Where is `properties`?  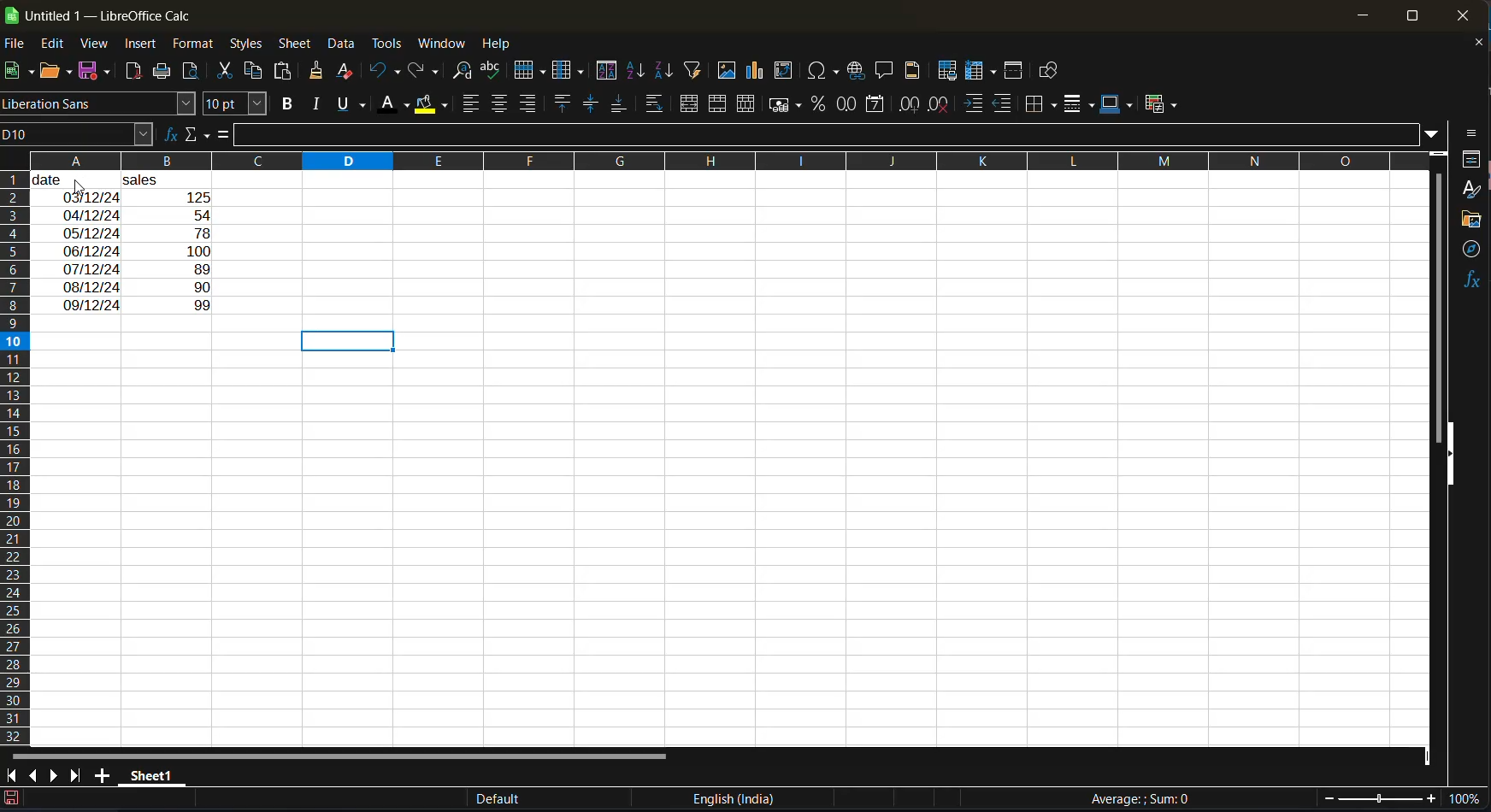 properties is located at coordinates (1471, 162).